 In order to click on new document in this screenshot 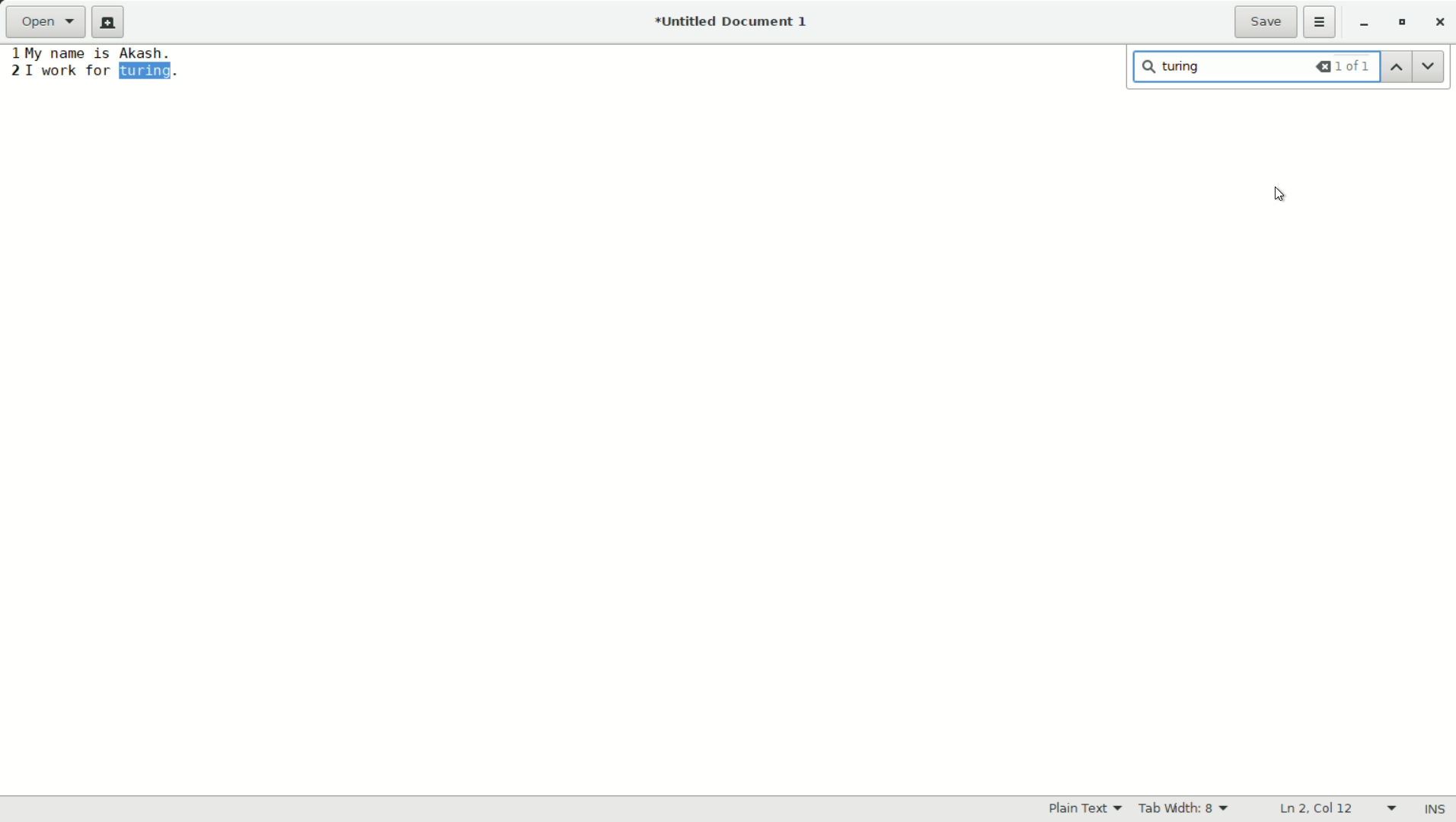, I will do `click(113, 22)`.